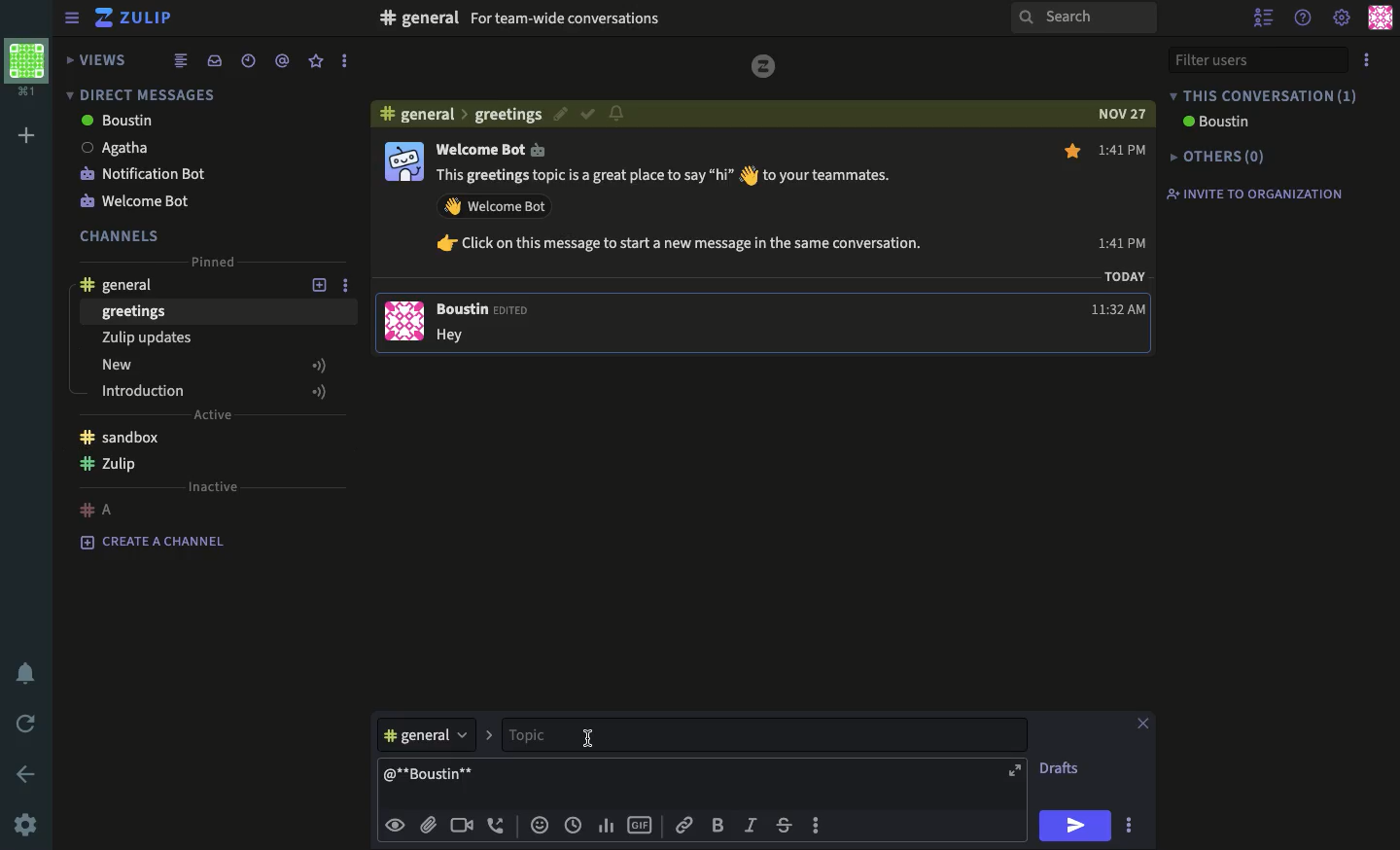  What do you see at coordinates (785, 826) in the screenshot?
I see `strikethrough ` at bounding box center [785, 826].